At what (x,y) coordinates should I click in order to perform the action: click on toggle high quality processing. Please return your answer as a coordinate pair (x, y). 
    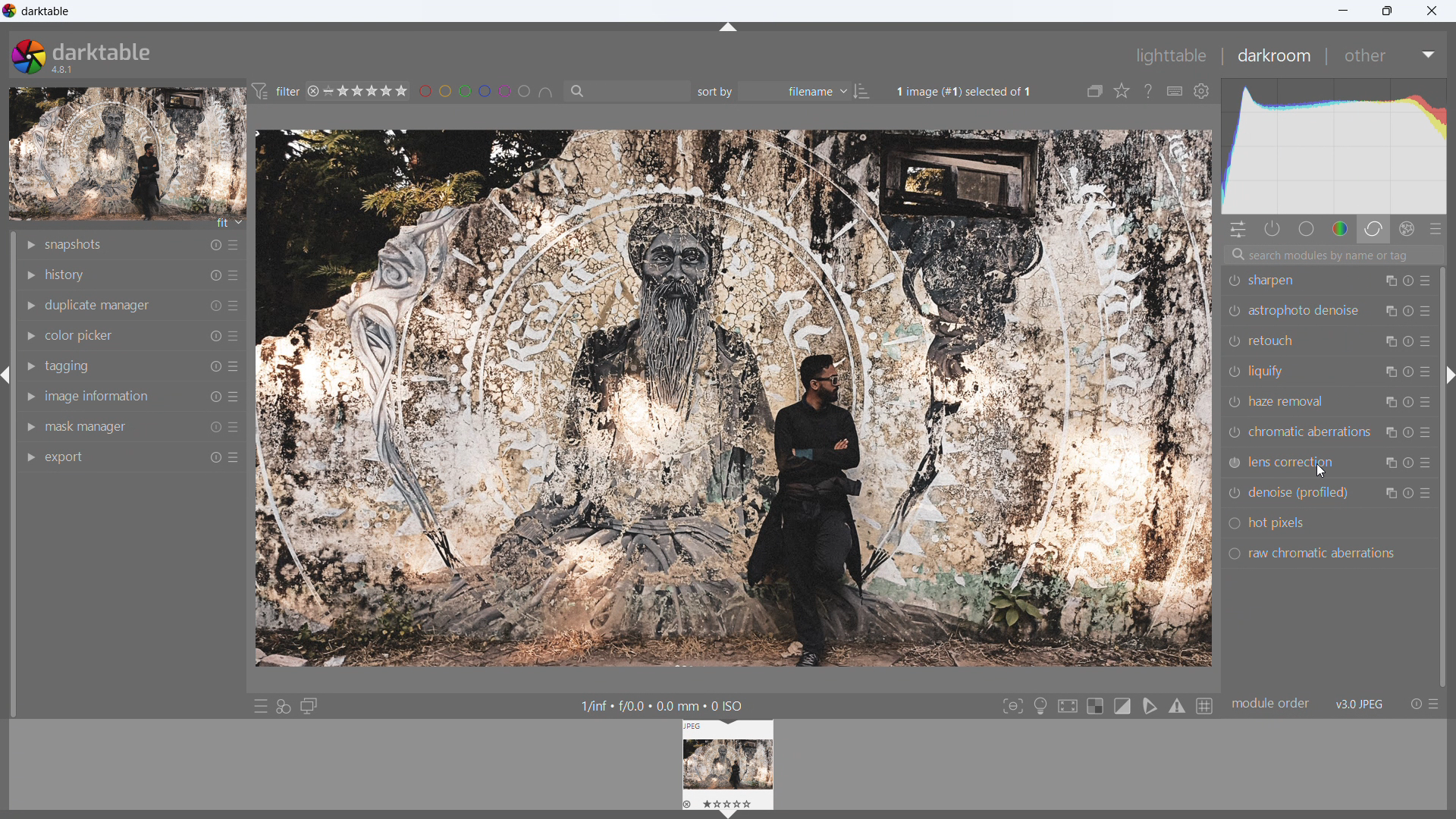
    Looking at the image, I should click on (1068, 706).